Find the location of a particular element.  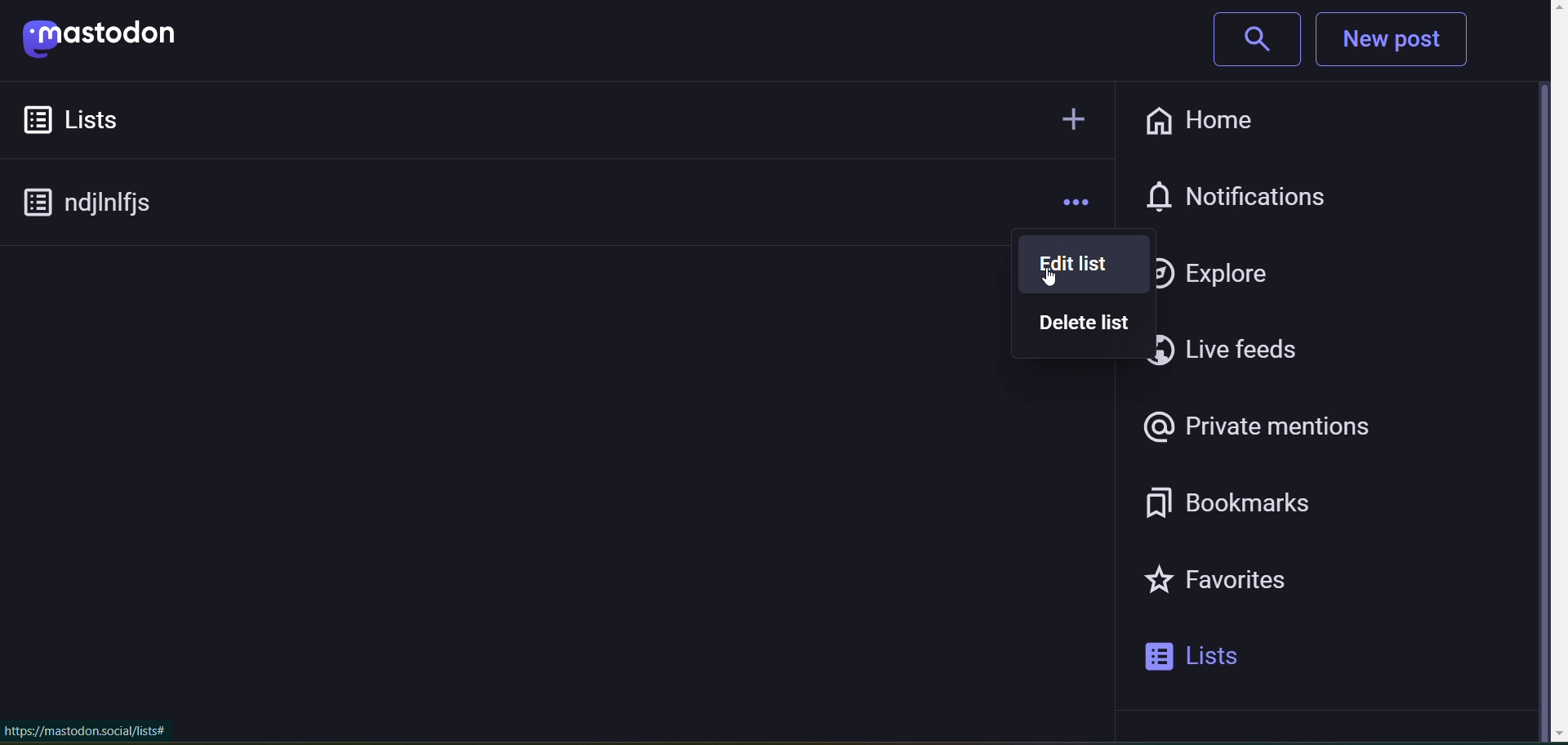

favorites is located at coordinates (1240, 586).